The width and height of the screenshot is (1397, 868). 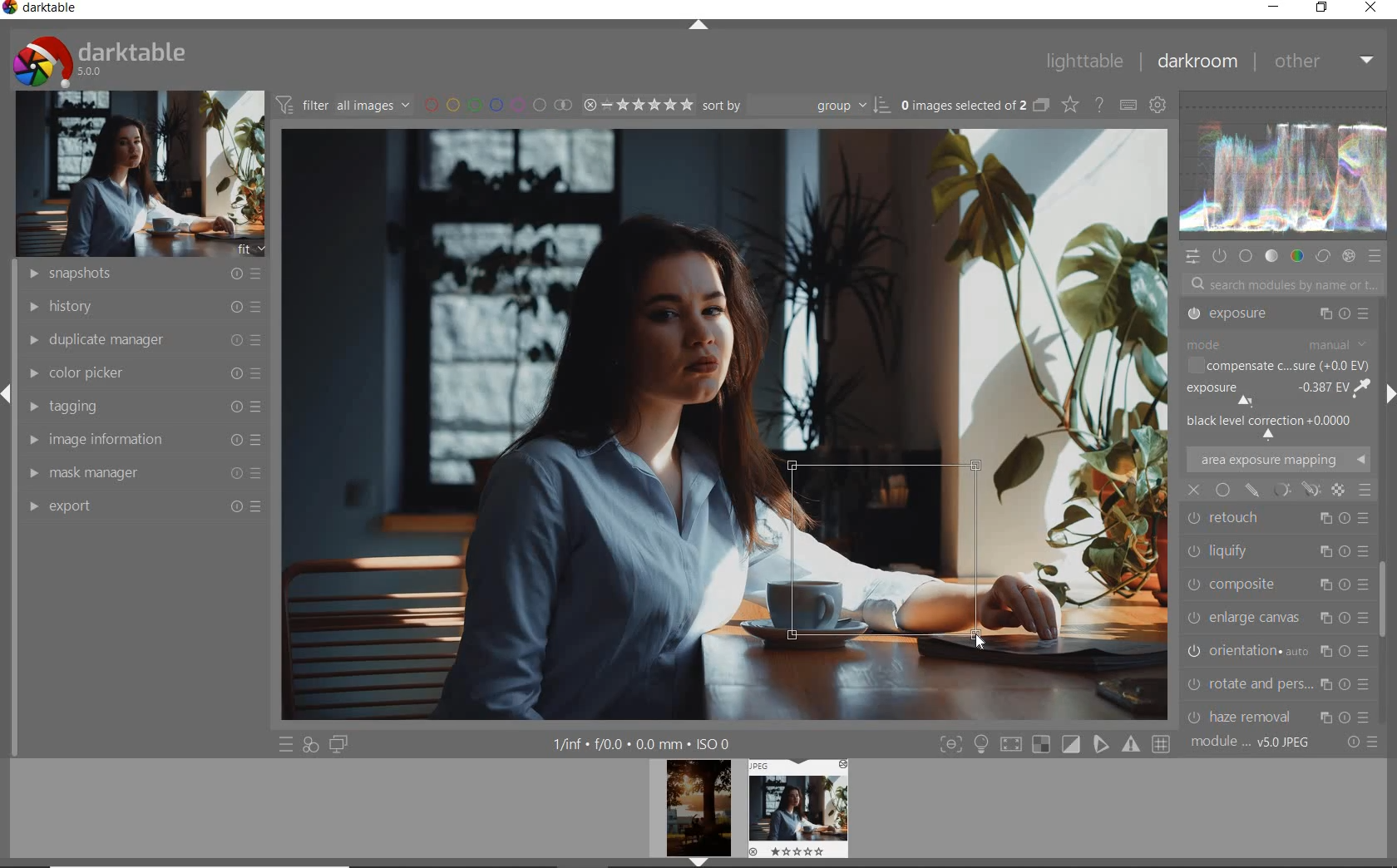 What do you see at coordinates (1281, 547) in the screenshot?
I see `ORIENTATION` at bounding box center [1281, 547].